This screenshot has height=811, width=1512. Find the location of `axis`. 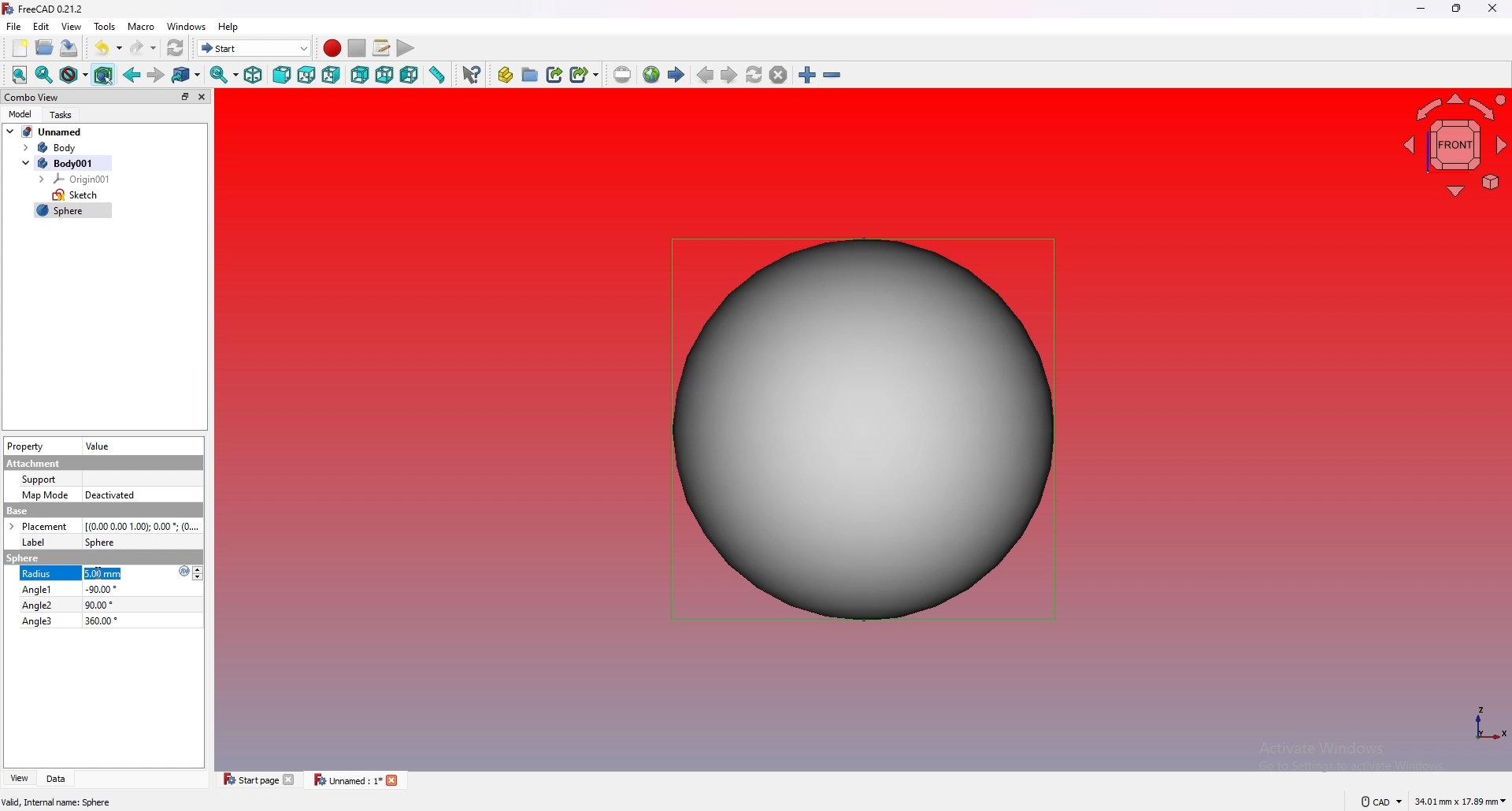

axis is located at coordinates (1489, 724).